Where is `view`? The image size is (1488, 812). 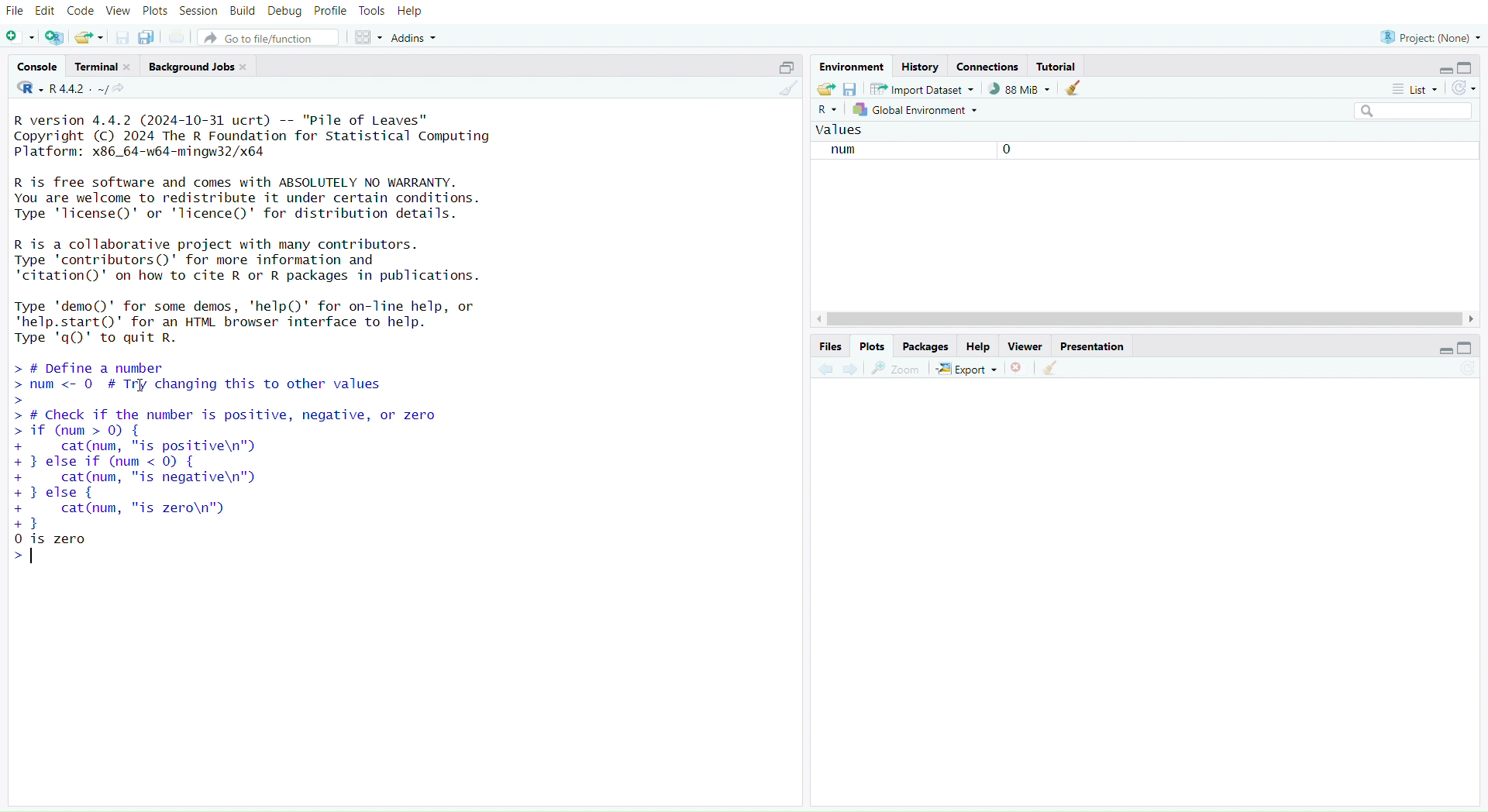
view is located at coordinates (119, 12).